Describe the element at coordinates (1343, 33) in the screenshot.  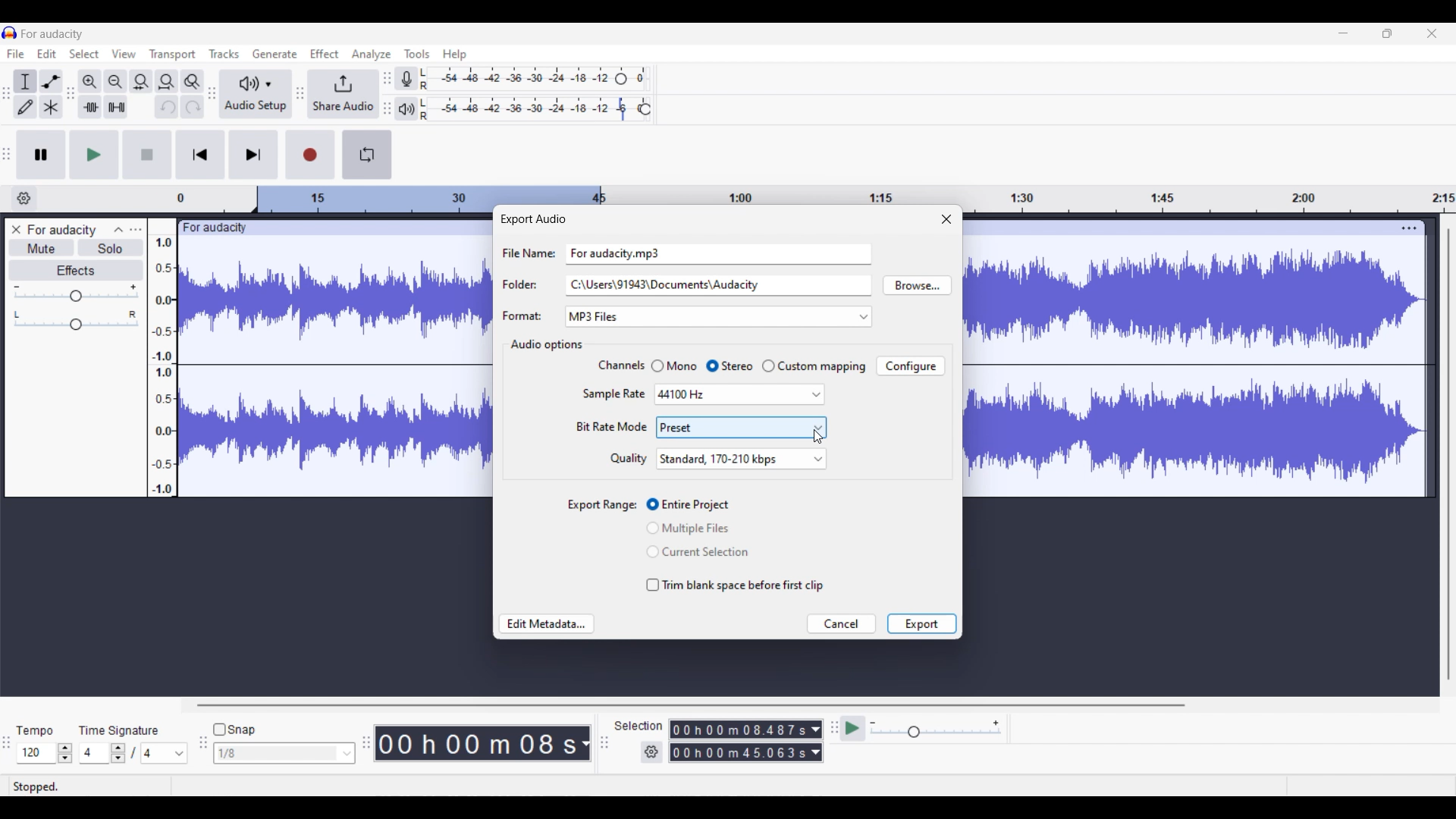
I see `Minimize` at that location.